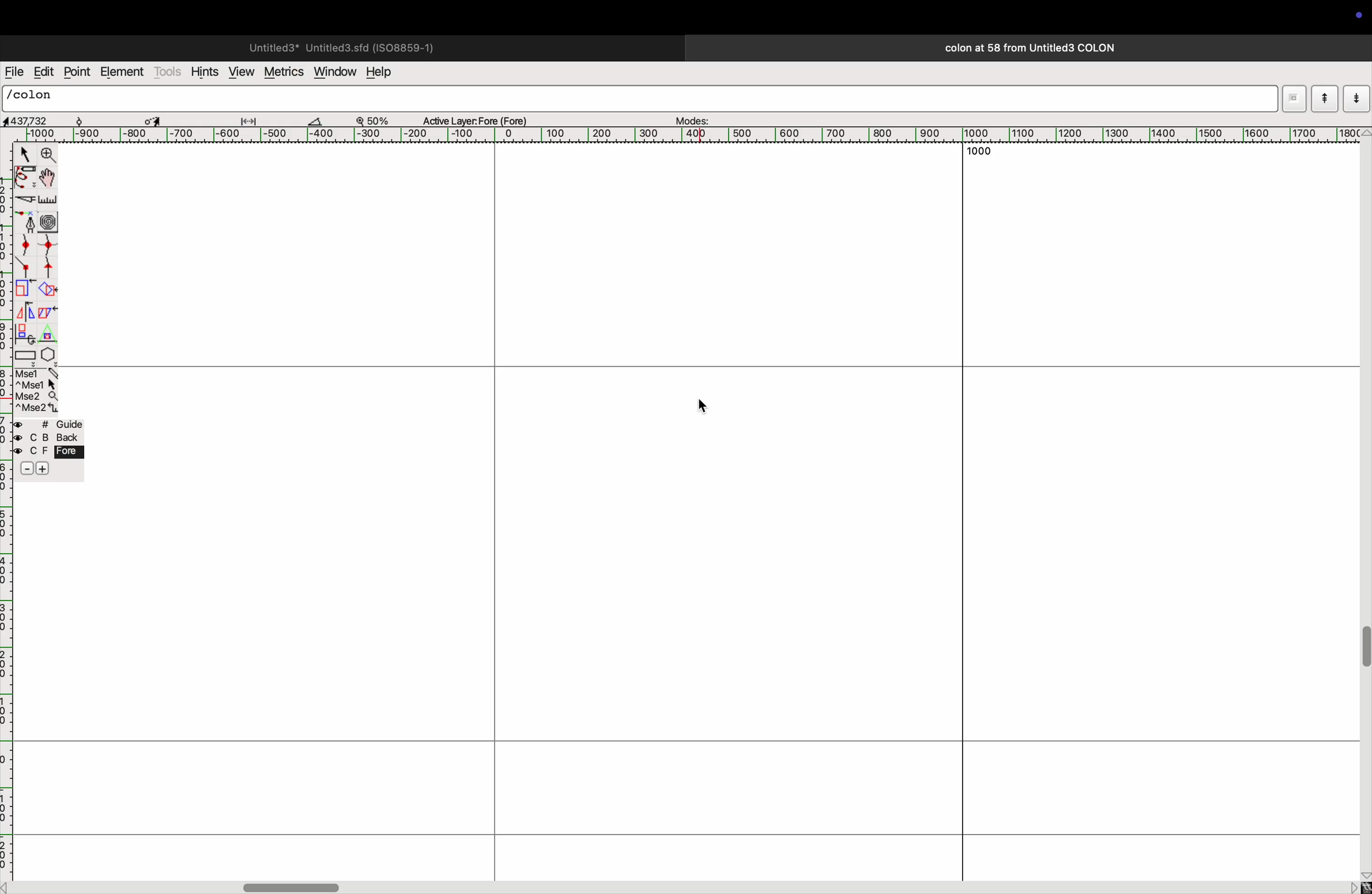  What do you see at coordinates (240, 72) in the screenshot?
I see `view` at bounding box center [240, 72].